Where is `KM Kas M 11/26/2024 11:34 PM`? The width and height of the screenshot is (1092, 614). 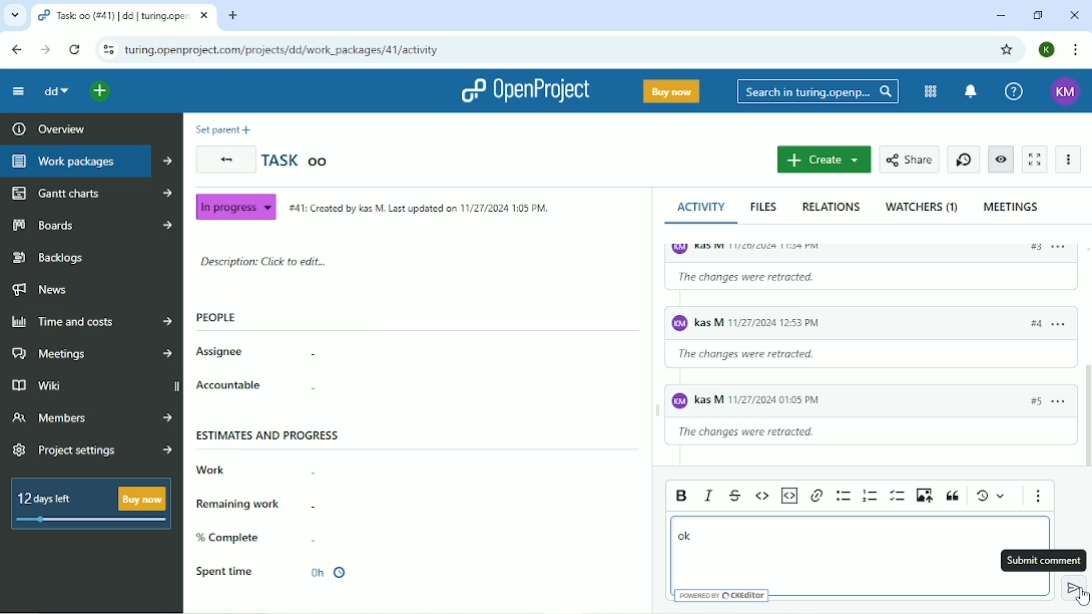 KM Kas M 11/26/2024 11:34 PM is located at coordinates (833, 248).